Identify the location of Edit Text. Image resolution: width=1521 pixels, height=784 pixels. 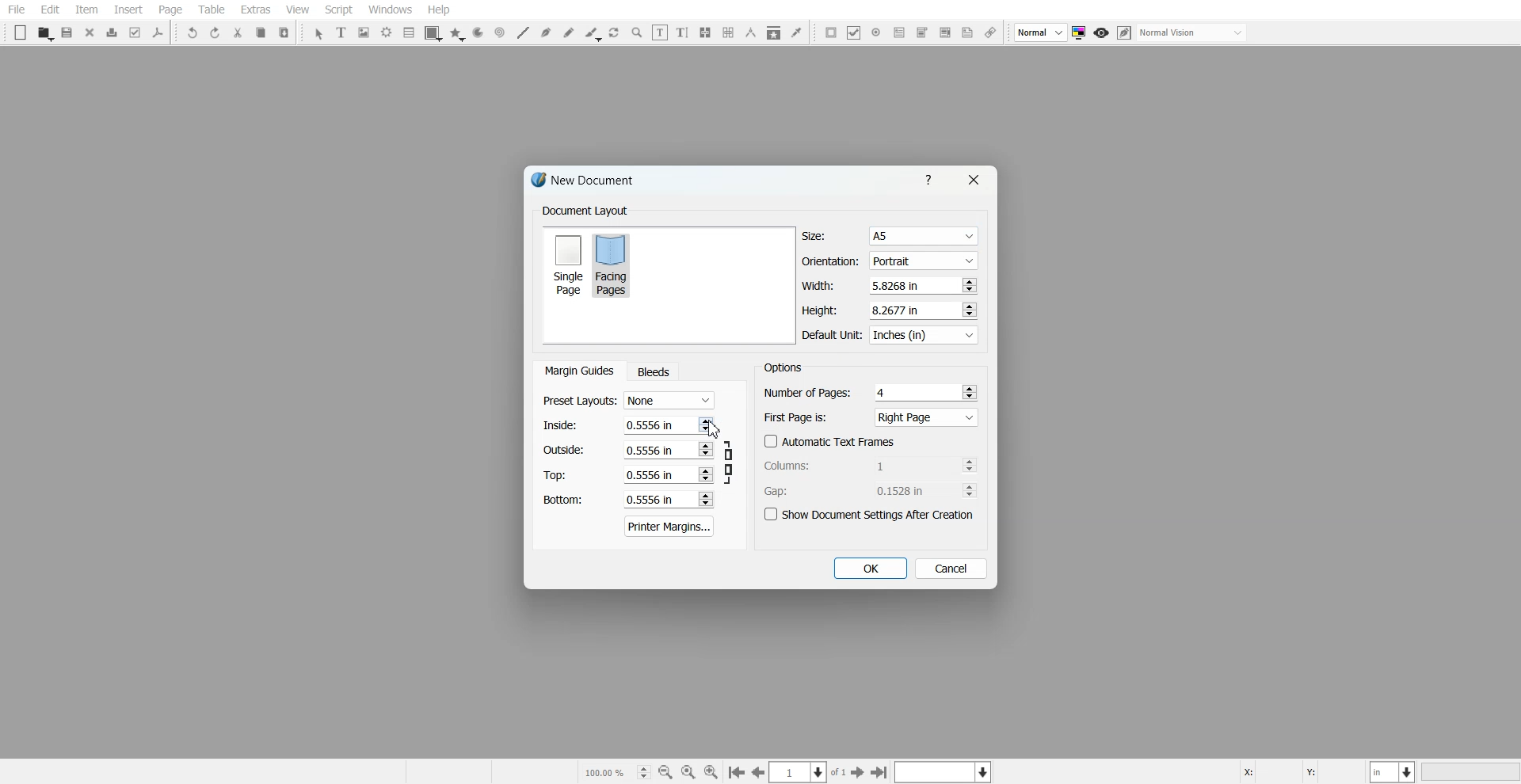
(682, 32).